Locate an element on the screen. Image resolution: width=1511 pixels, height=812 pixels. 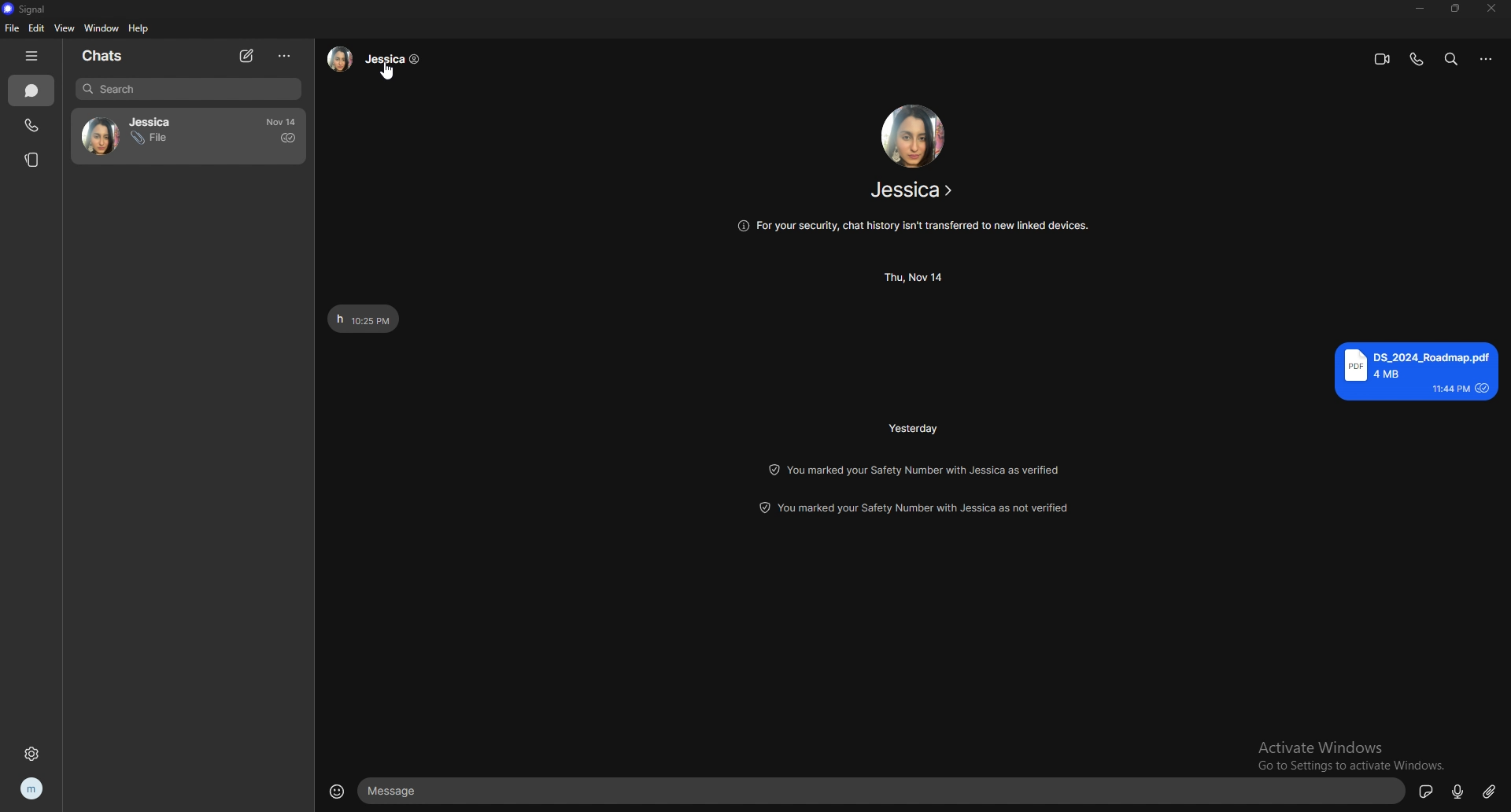
signal is located at coordinates (26, 9).